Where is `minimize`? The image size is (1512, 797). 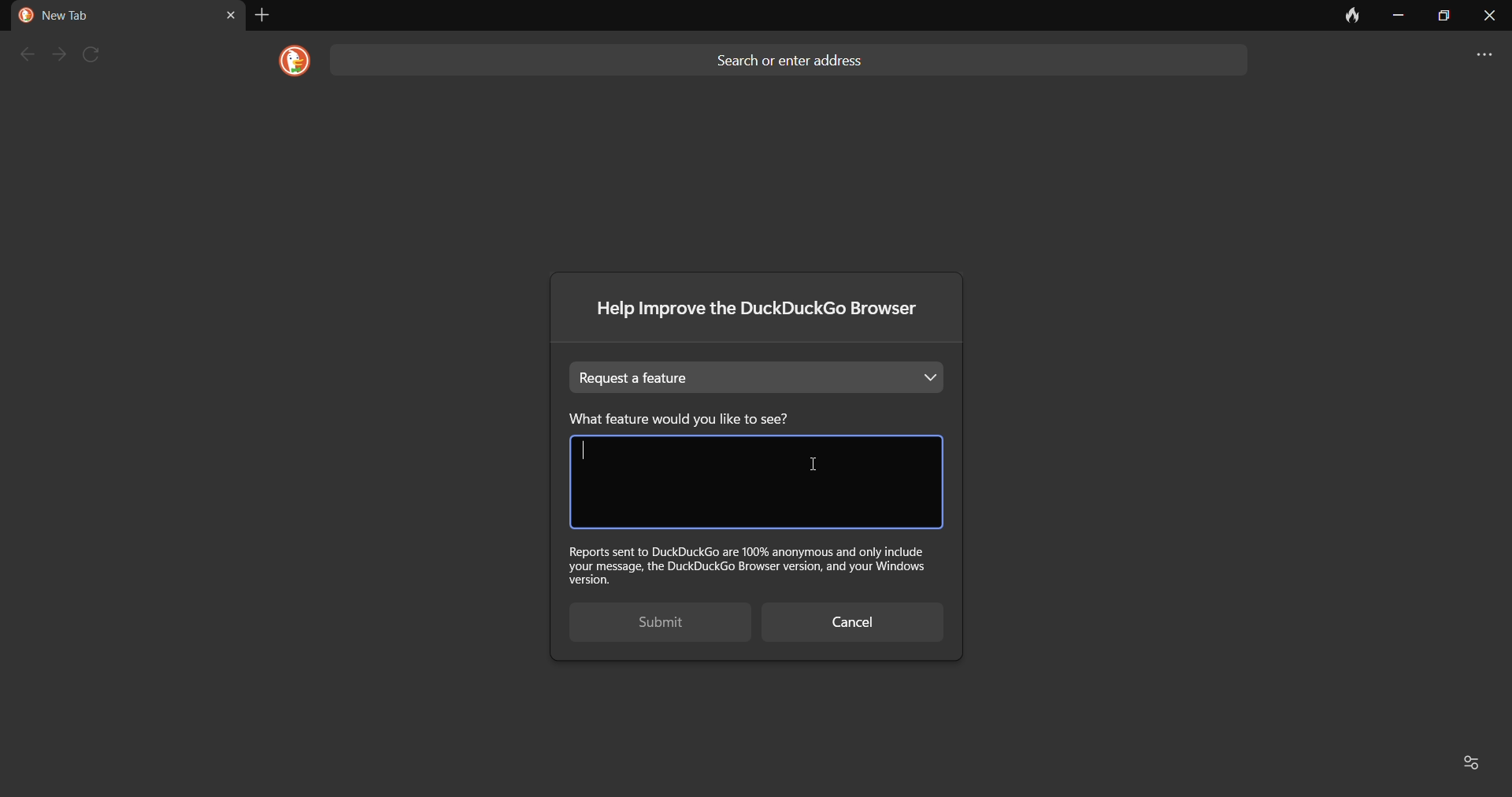
minimize is located at coordinates (1397, 16).